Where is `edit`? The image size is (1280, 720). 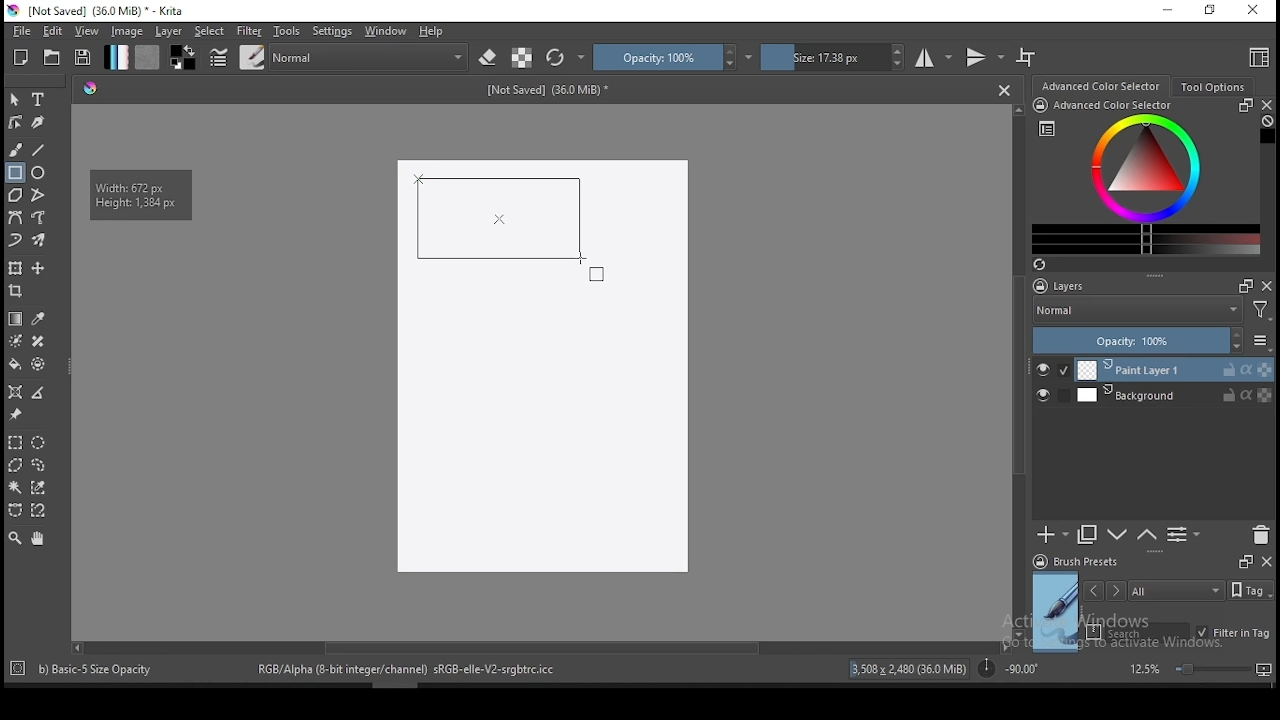 edit is located at coordinates (52, 30).